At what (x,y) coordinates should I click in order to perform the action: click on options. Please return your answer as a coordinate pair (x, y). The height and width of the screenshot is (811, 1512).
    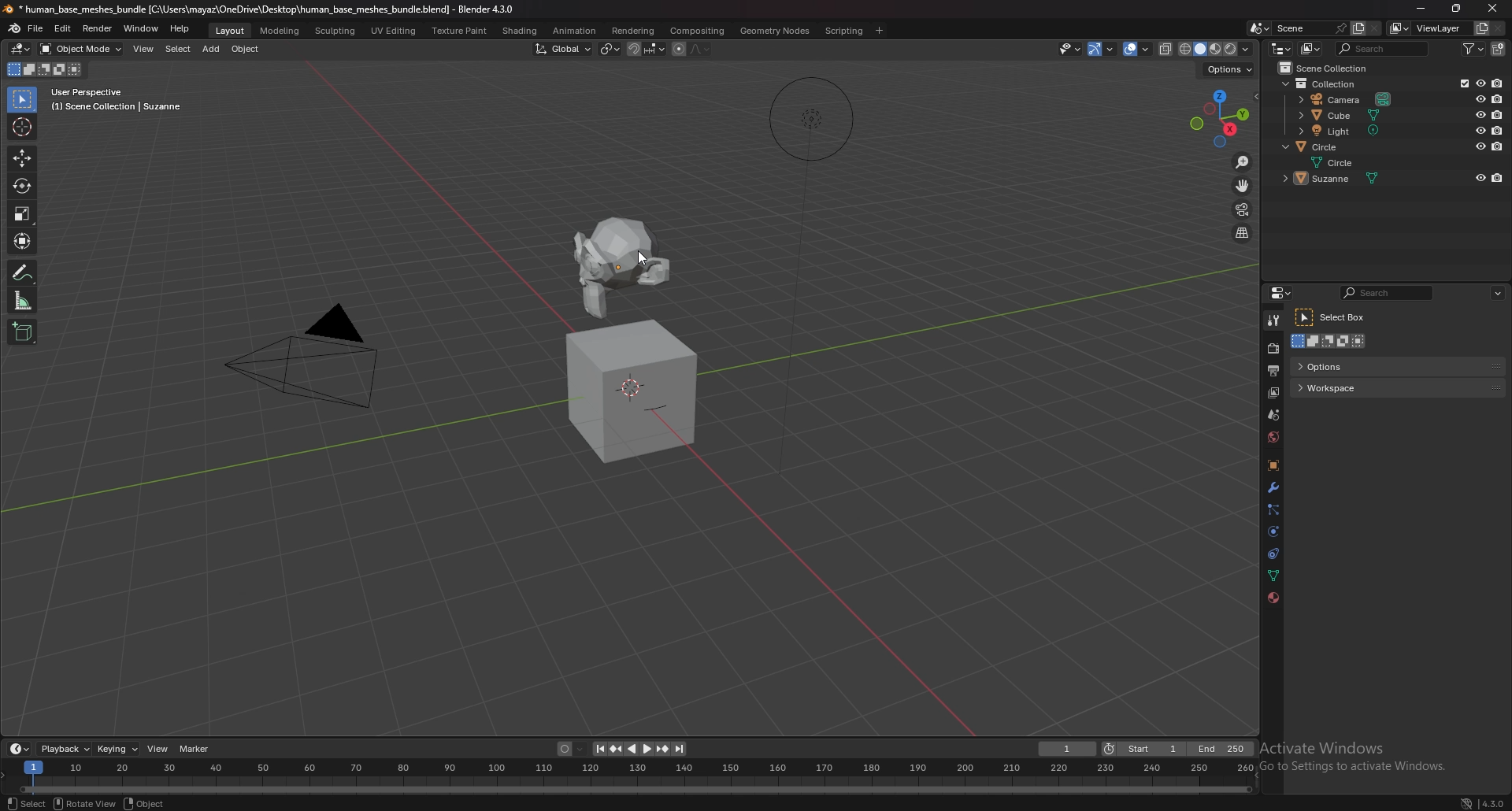
    Looking at the image, I should click on (1230, 69).